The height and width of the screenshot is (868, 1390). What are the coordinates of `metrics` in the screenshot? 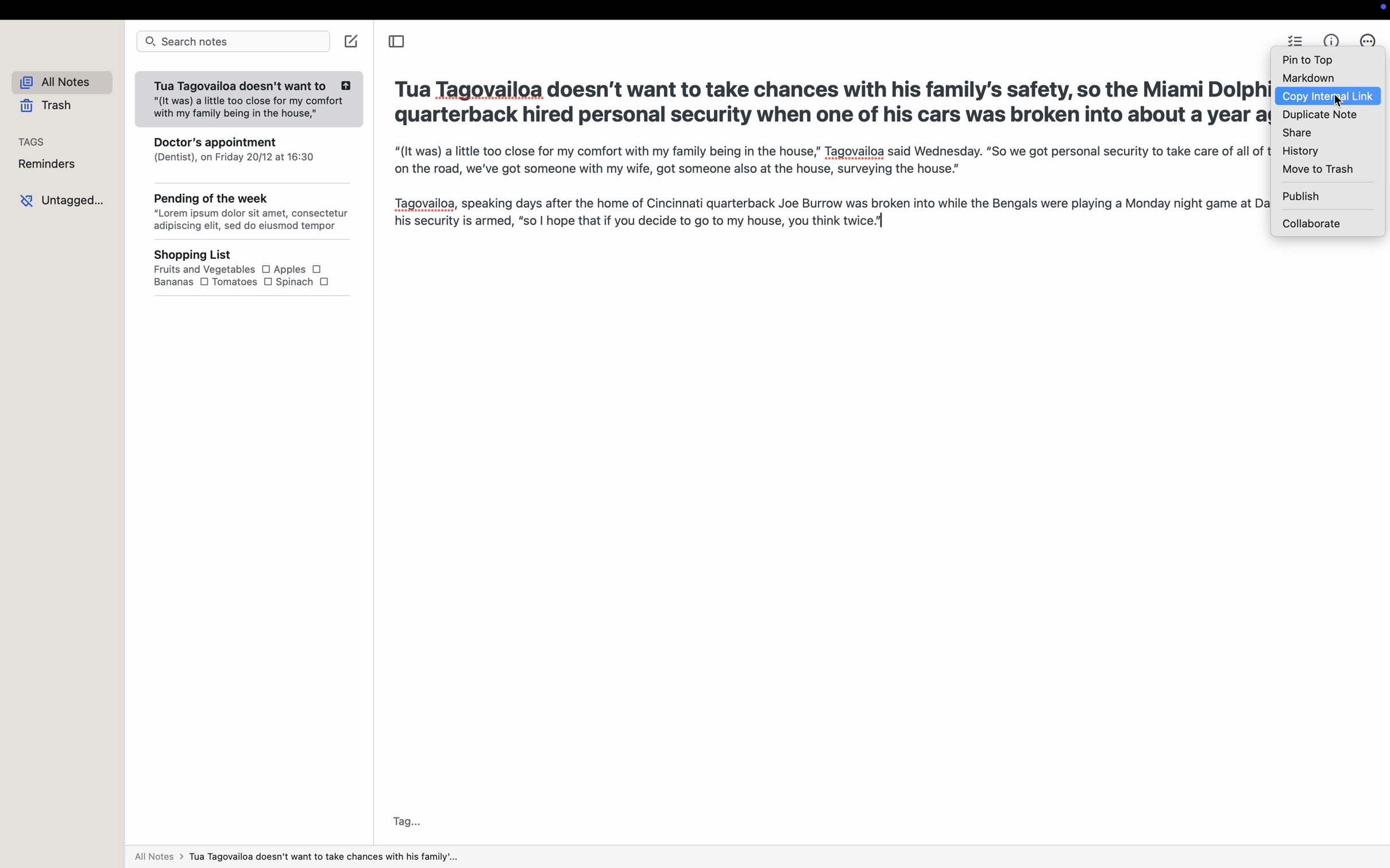 It's located at (1331, 38).